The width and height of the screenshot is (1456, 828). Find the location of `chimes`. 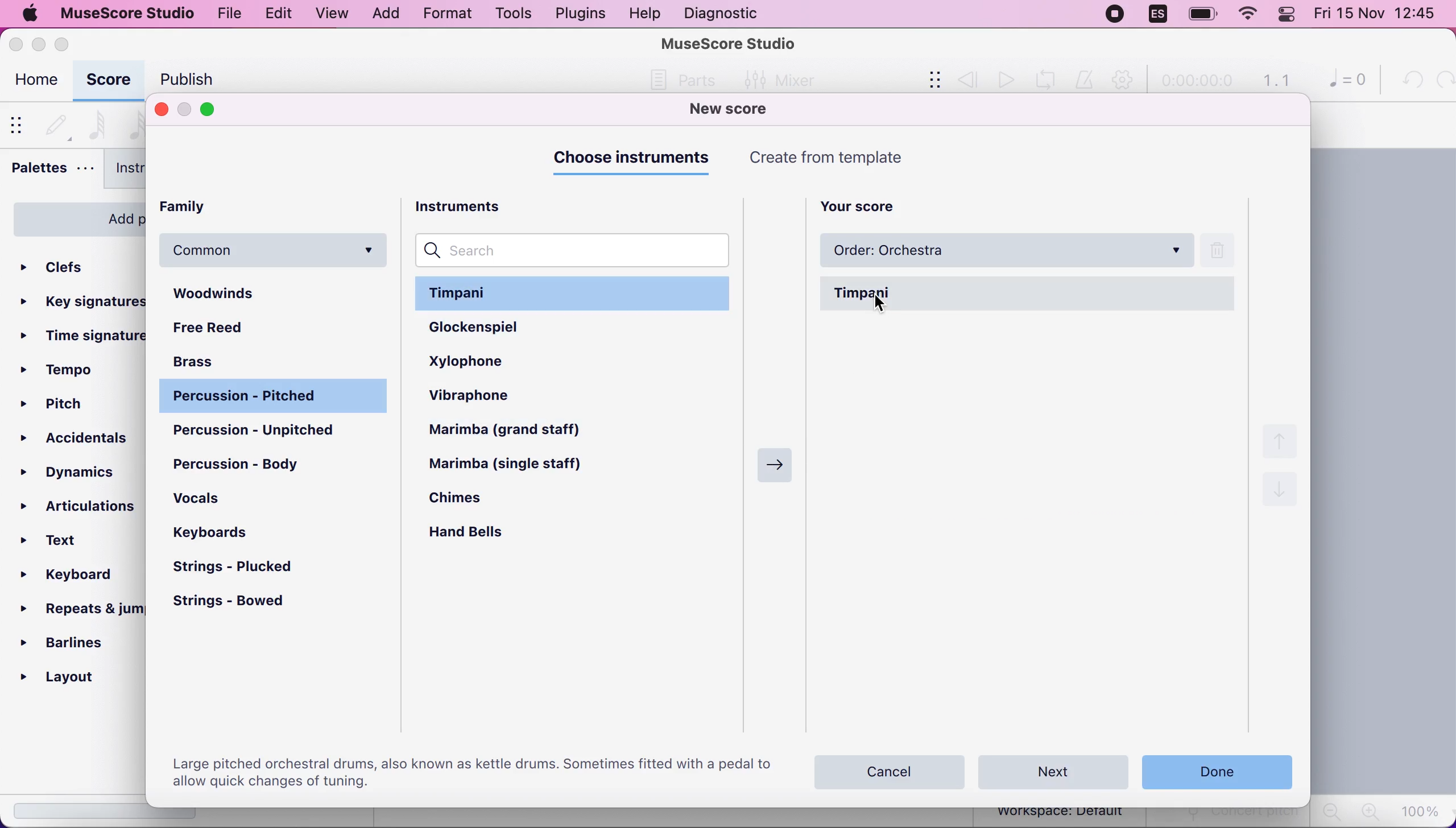

chimes is located at coordinates (472, 502).